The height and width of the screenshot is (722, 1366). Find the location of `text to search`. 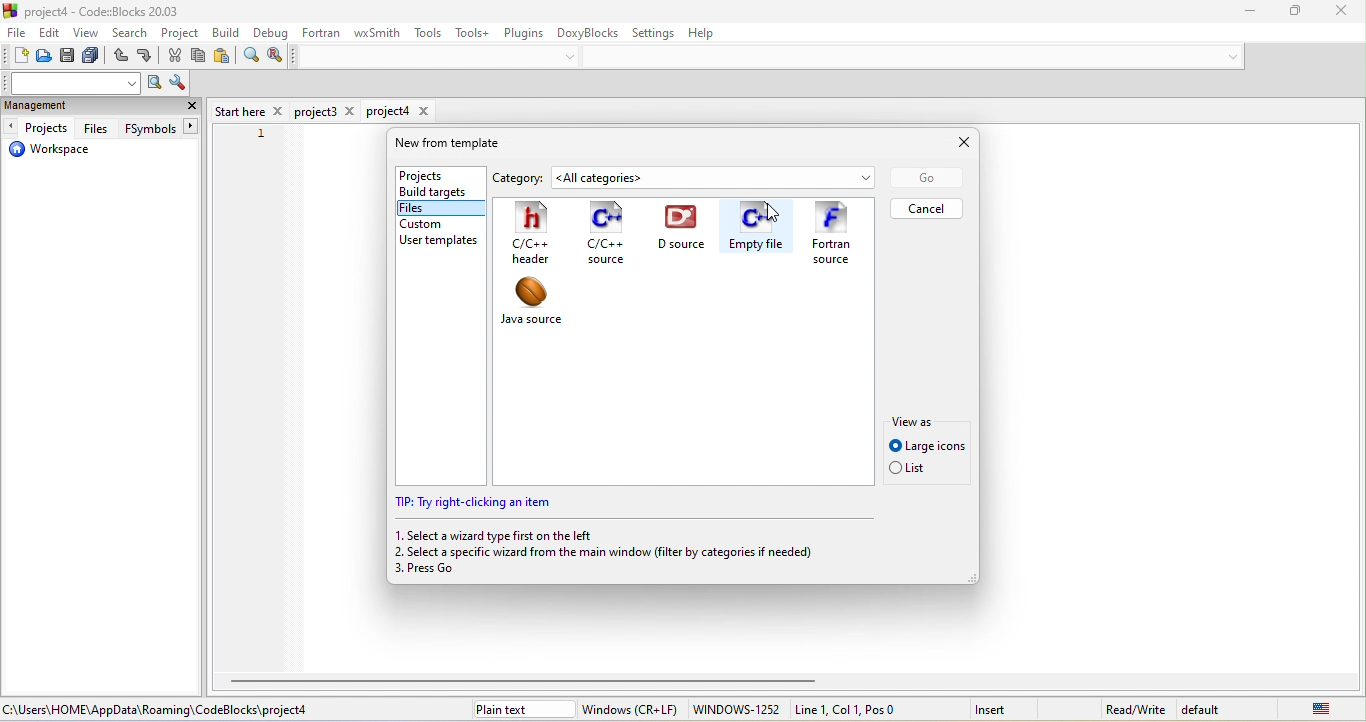

text to search is located at coordinates (73, 83).